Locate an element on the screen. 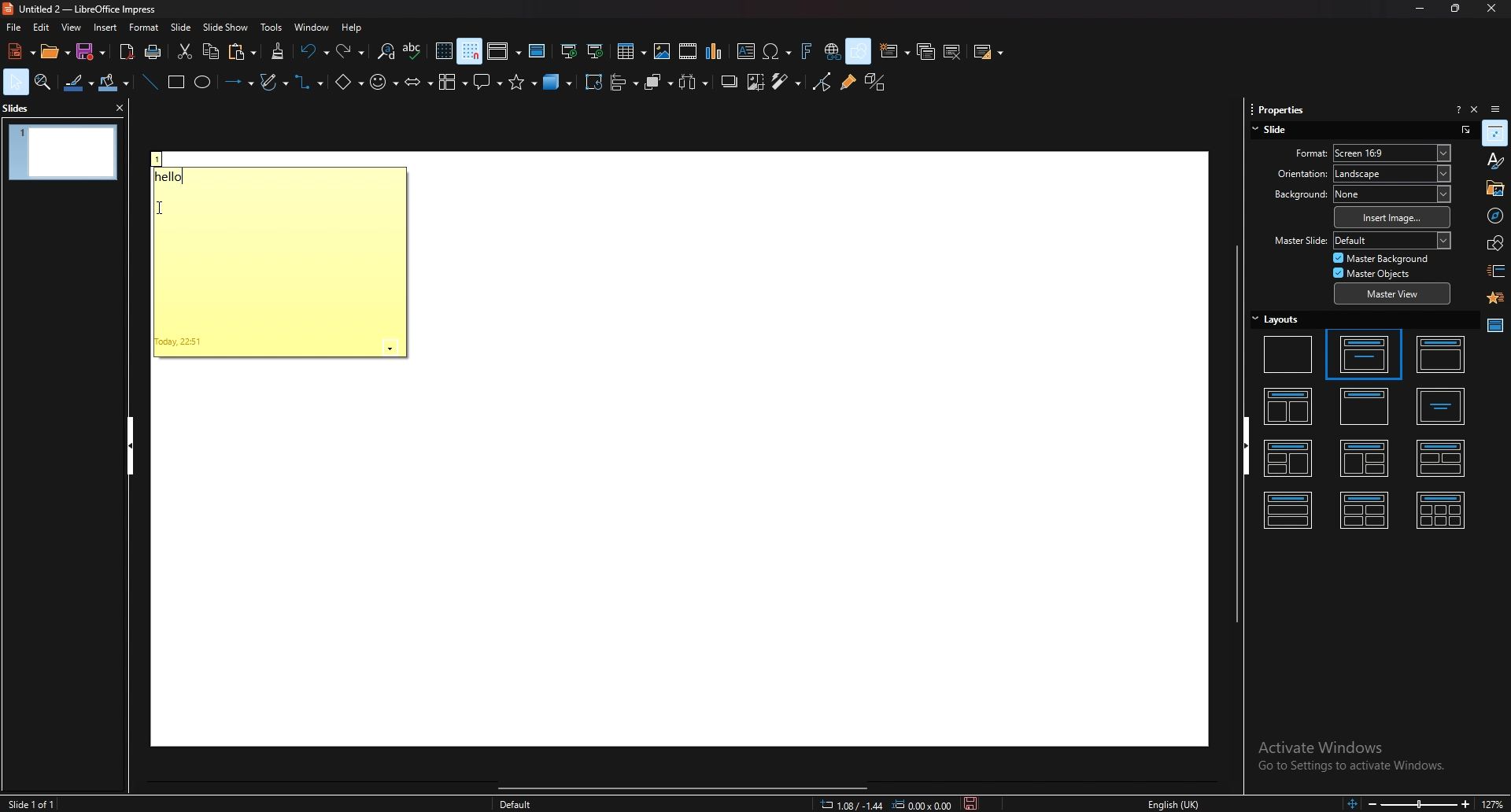 This screenshot has width=1511, height=812. open is located at coordinates (54, 51).